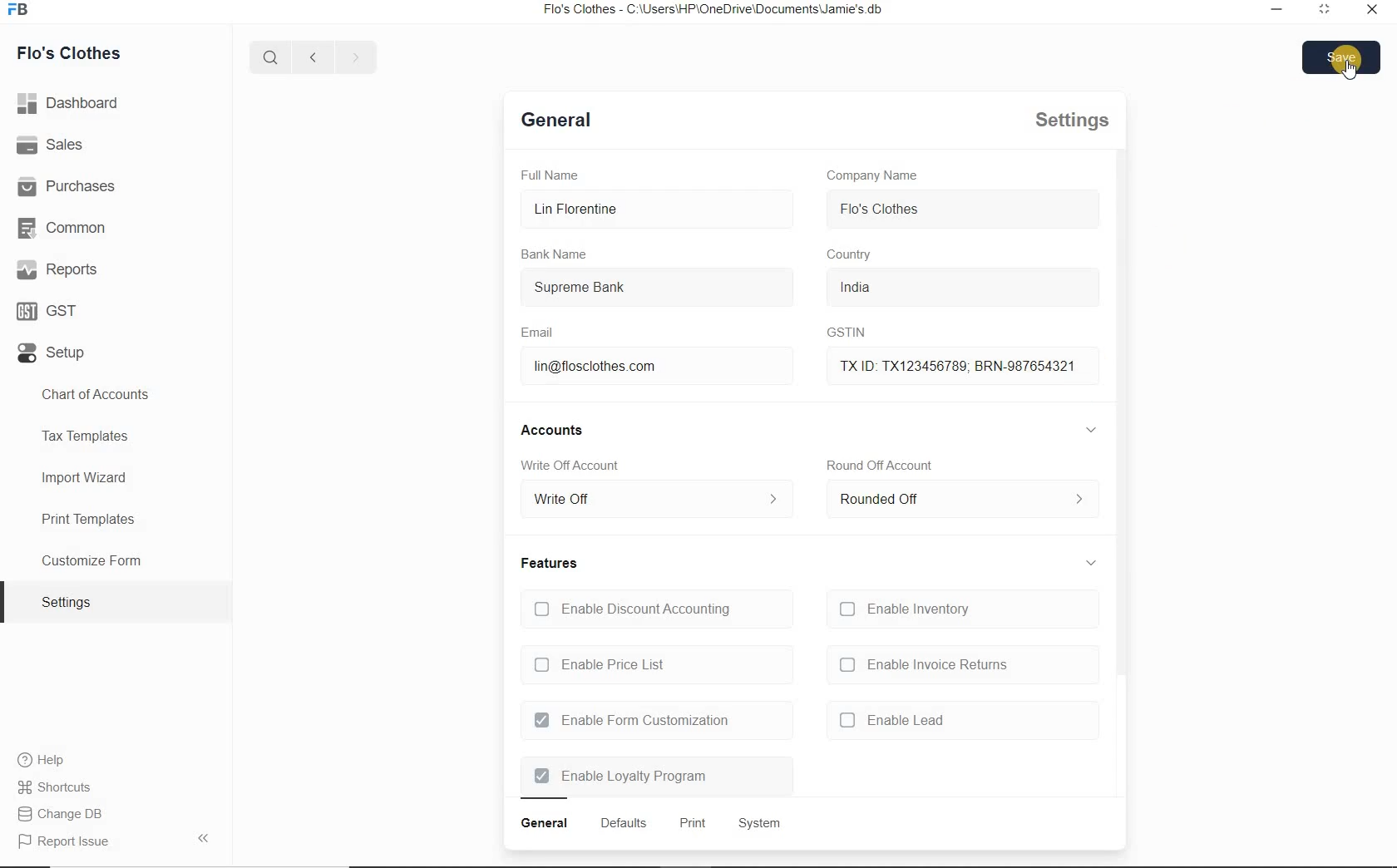  Describe the element at coordinates (550, 563) in the screenshot. I see `features` at that location.